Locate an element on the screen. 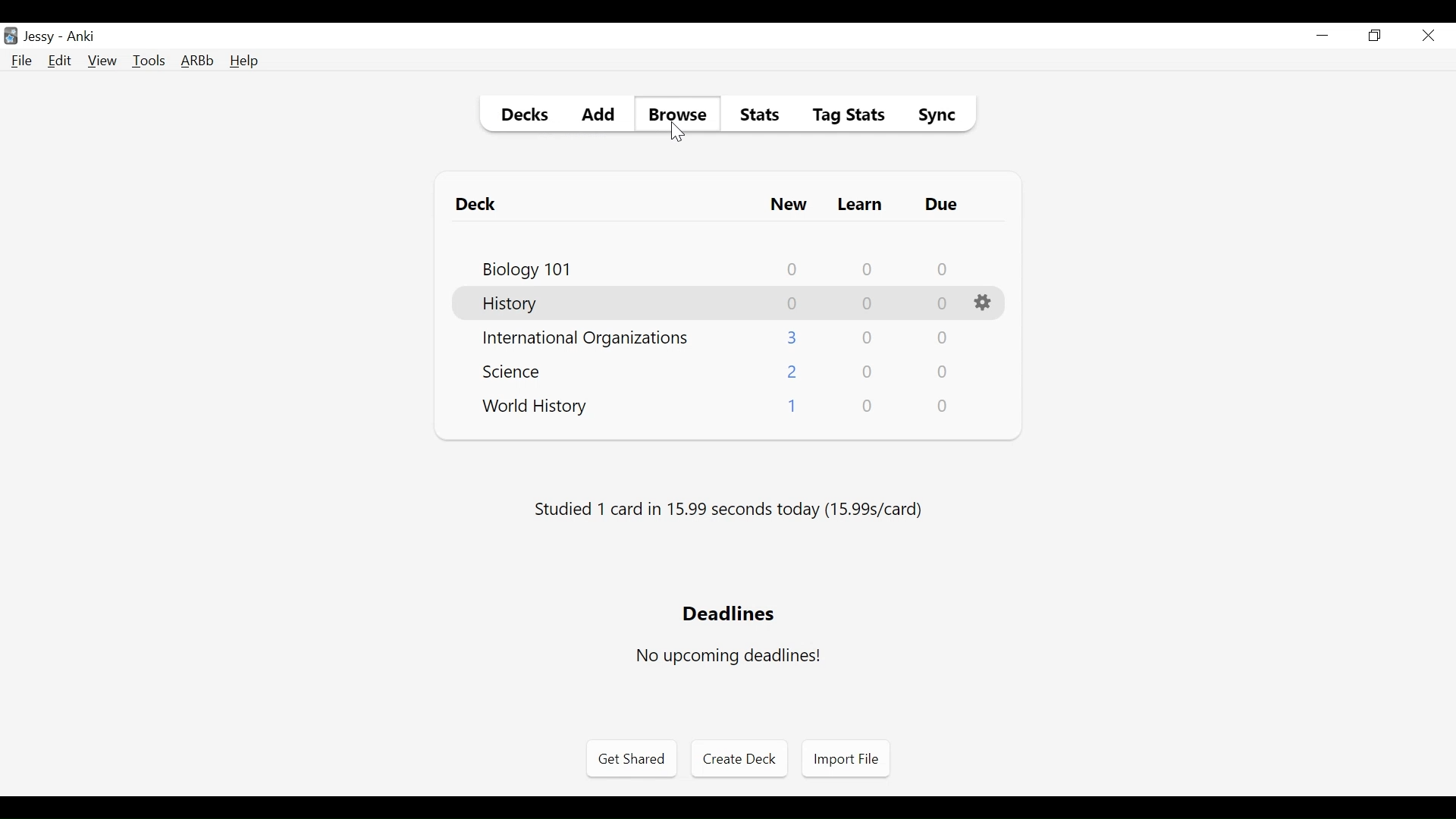 The height and width of the screenshot is (819, 1456). Learn Card Count is located at coordinates (868, 337).